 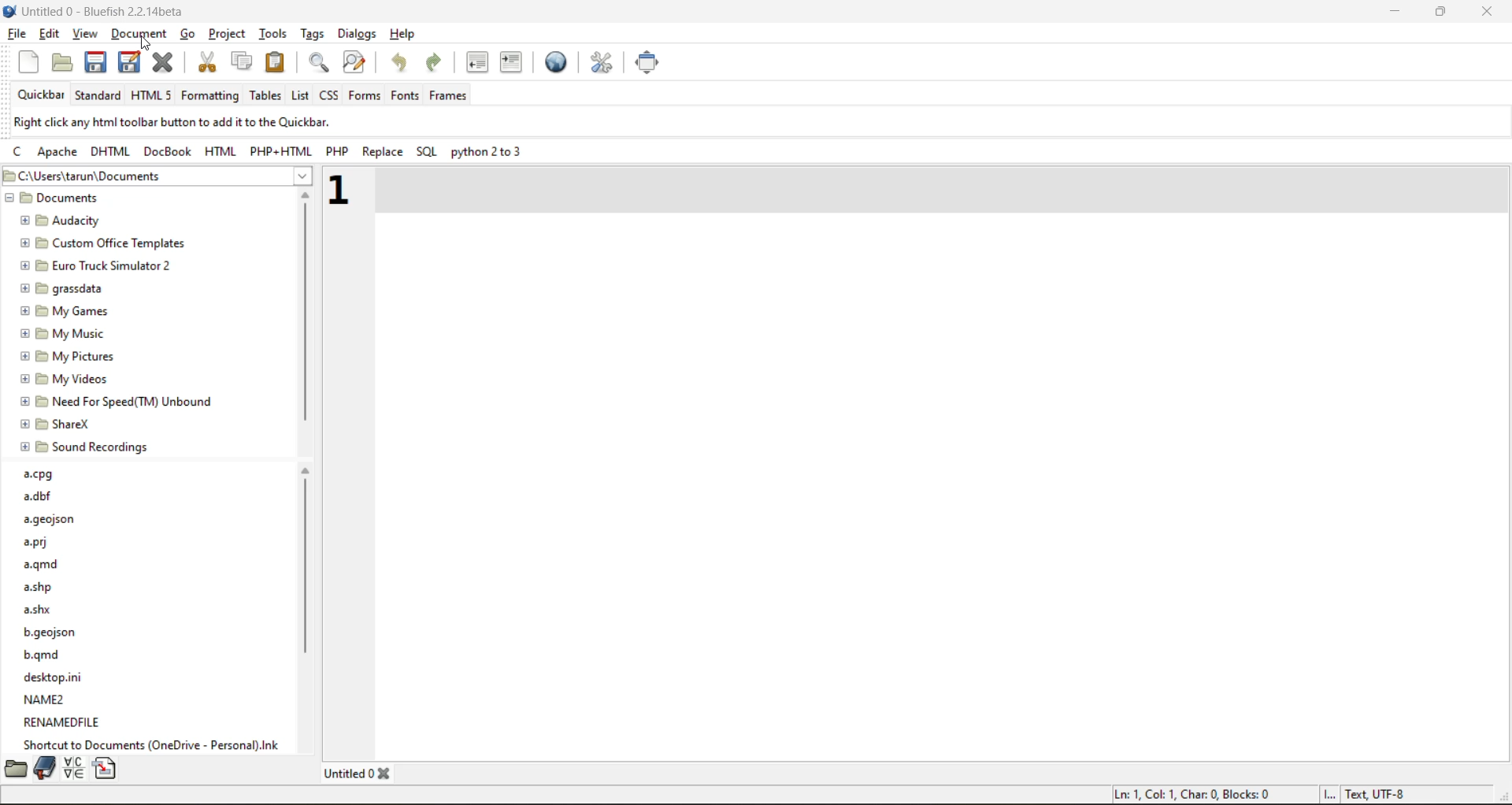 What do you see at coordinates (405, 96) in the screenshot?
I see `fonts` at bounding box center [405, 96].